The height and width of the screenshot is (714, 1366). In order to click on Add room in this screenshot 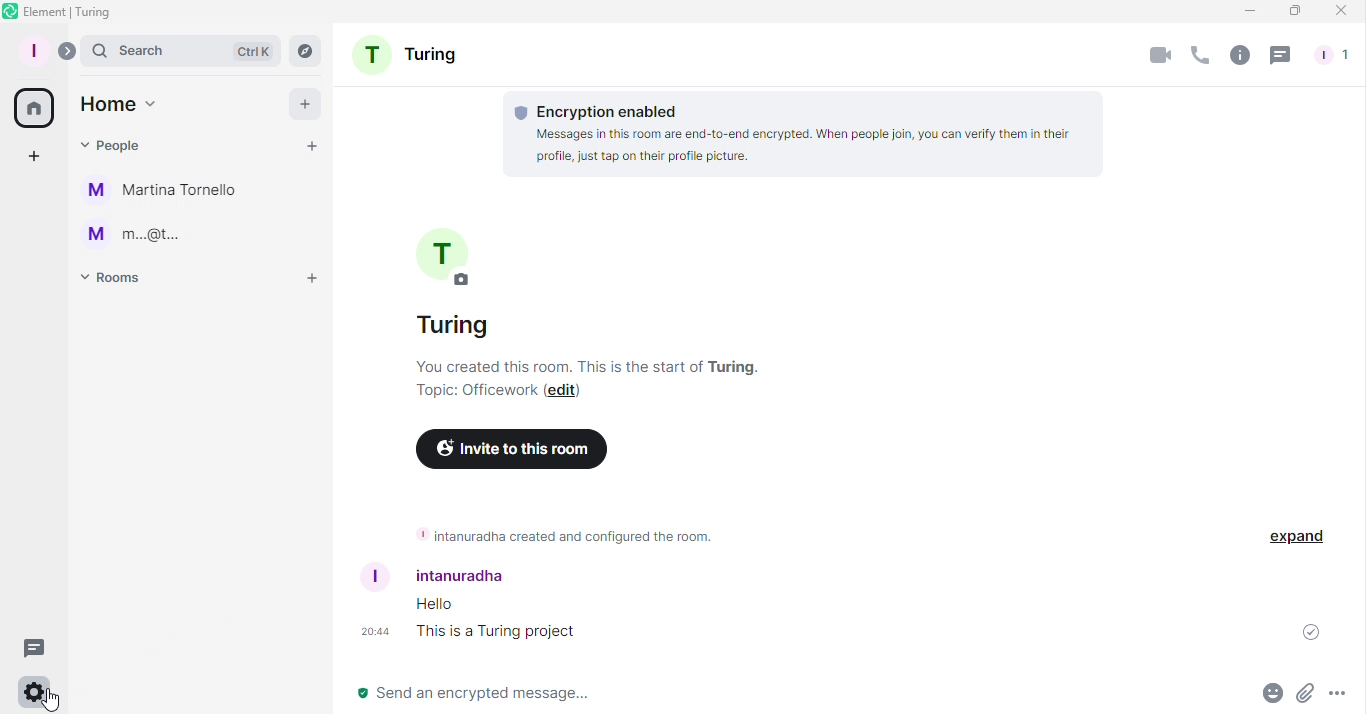, I will do `click(314, 279)`.